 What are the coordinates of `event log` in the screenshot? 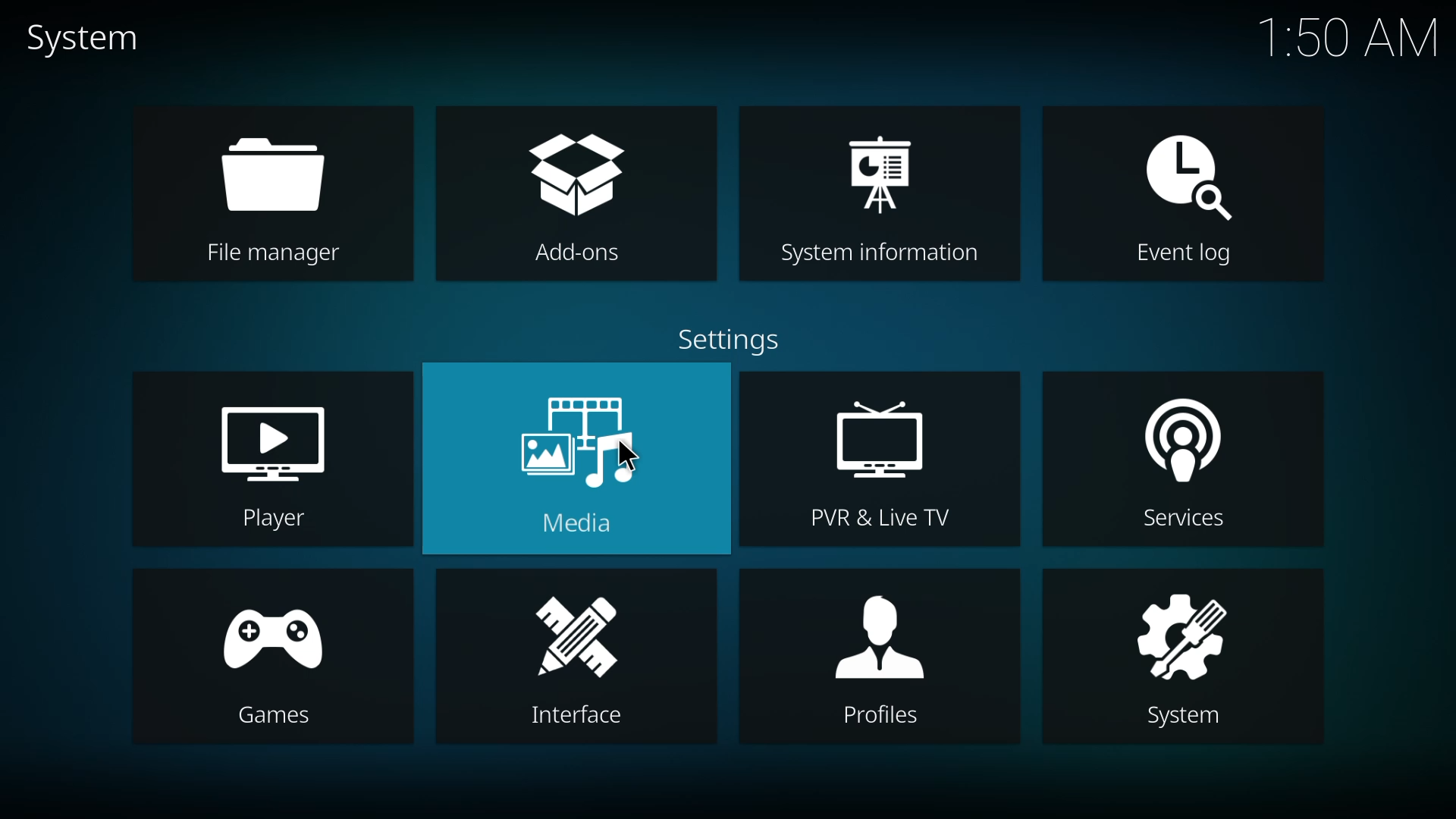 It's located at (1180, 195).